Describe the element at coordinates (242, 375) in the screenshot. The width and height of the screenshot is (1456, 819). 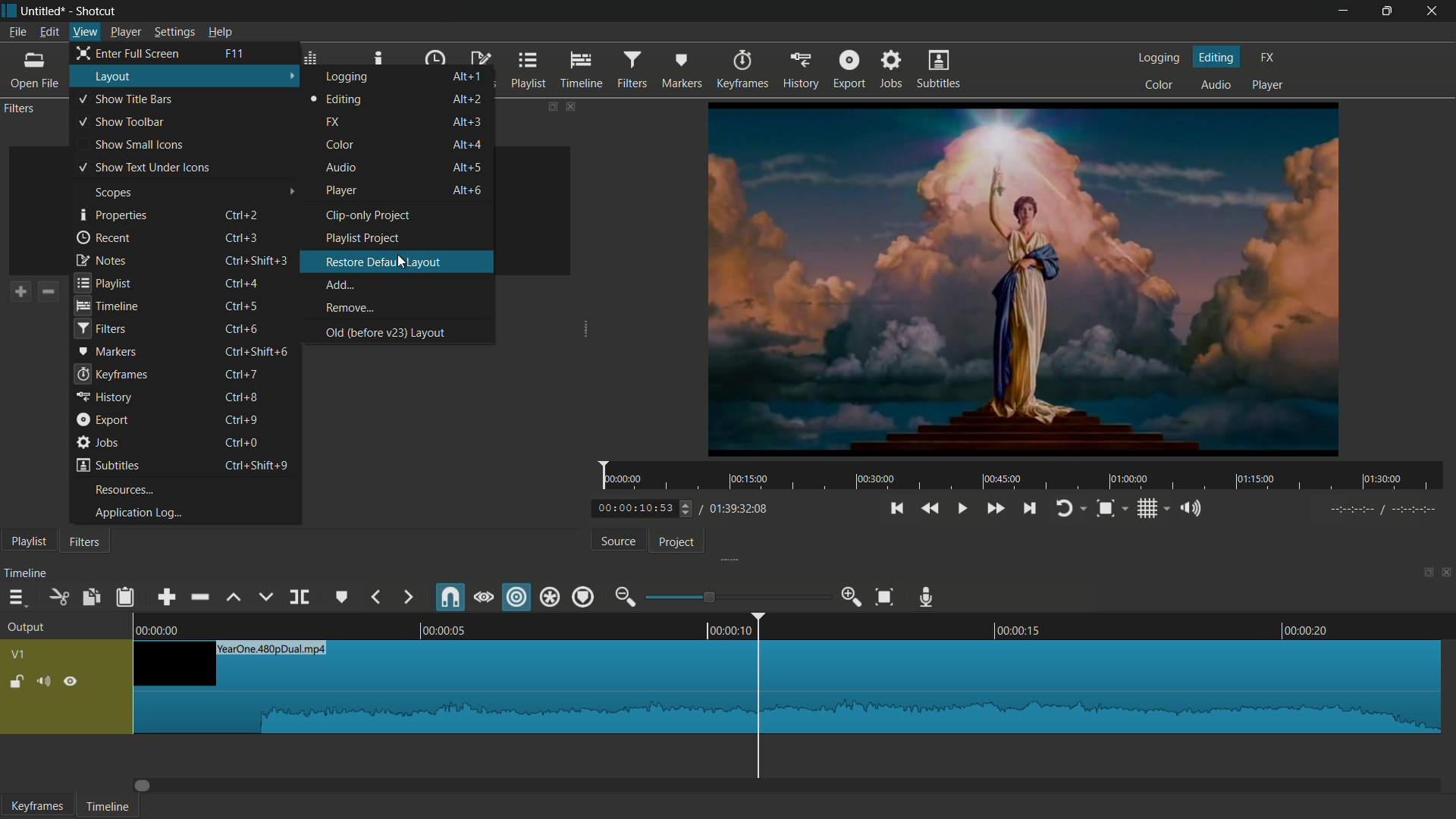
I see `keyboard shortcut` at that location.